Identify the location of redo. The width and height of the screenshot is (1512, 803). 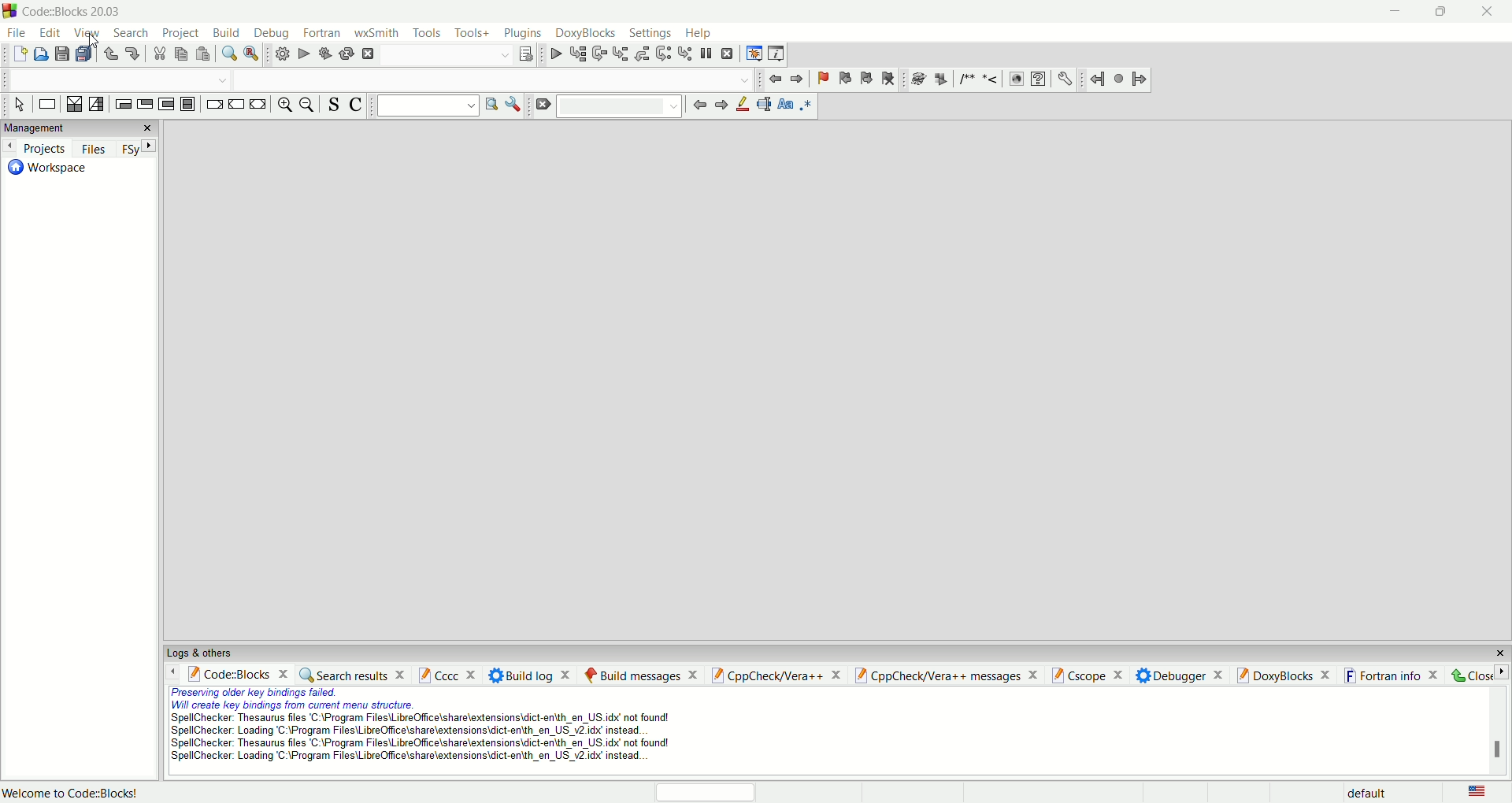
(132, 53).